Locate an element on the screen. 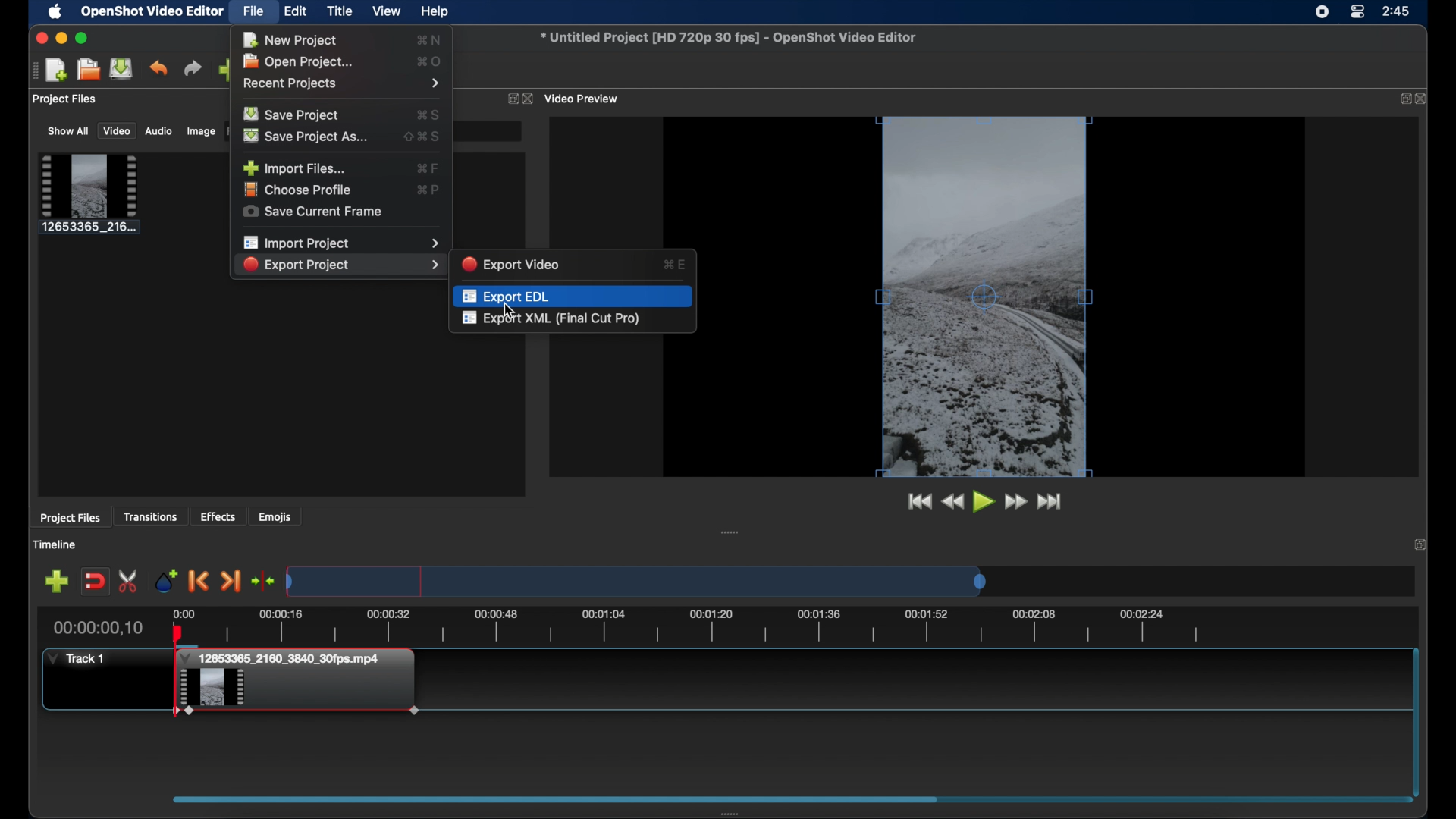 The height and width of the screenshot is (819, 1456). drag handle is located at coordinates (730, 532).